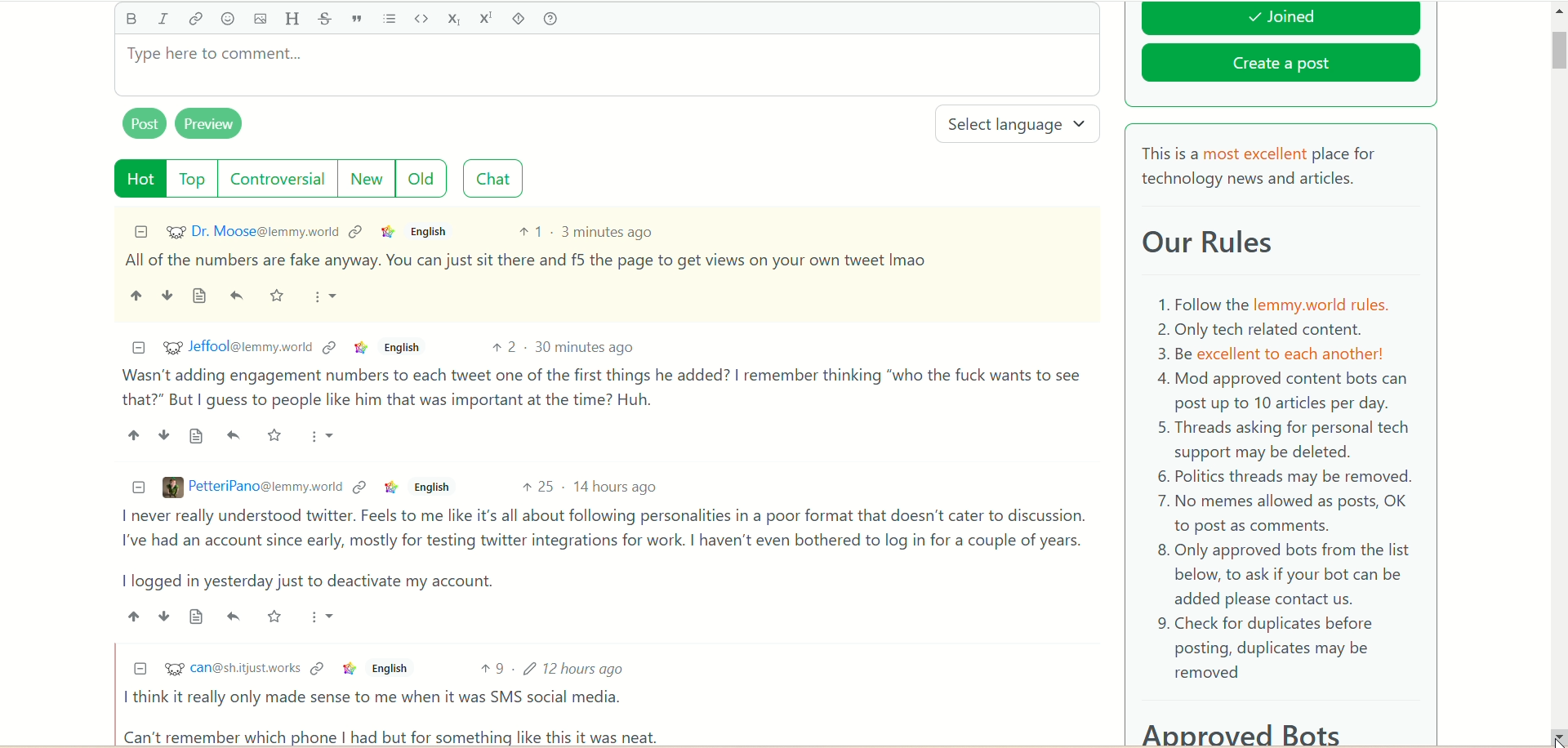  I want to click on 30 minutes ago, so click(586, 346).